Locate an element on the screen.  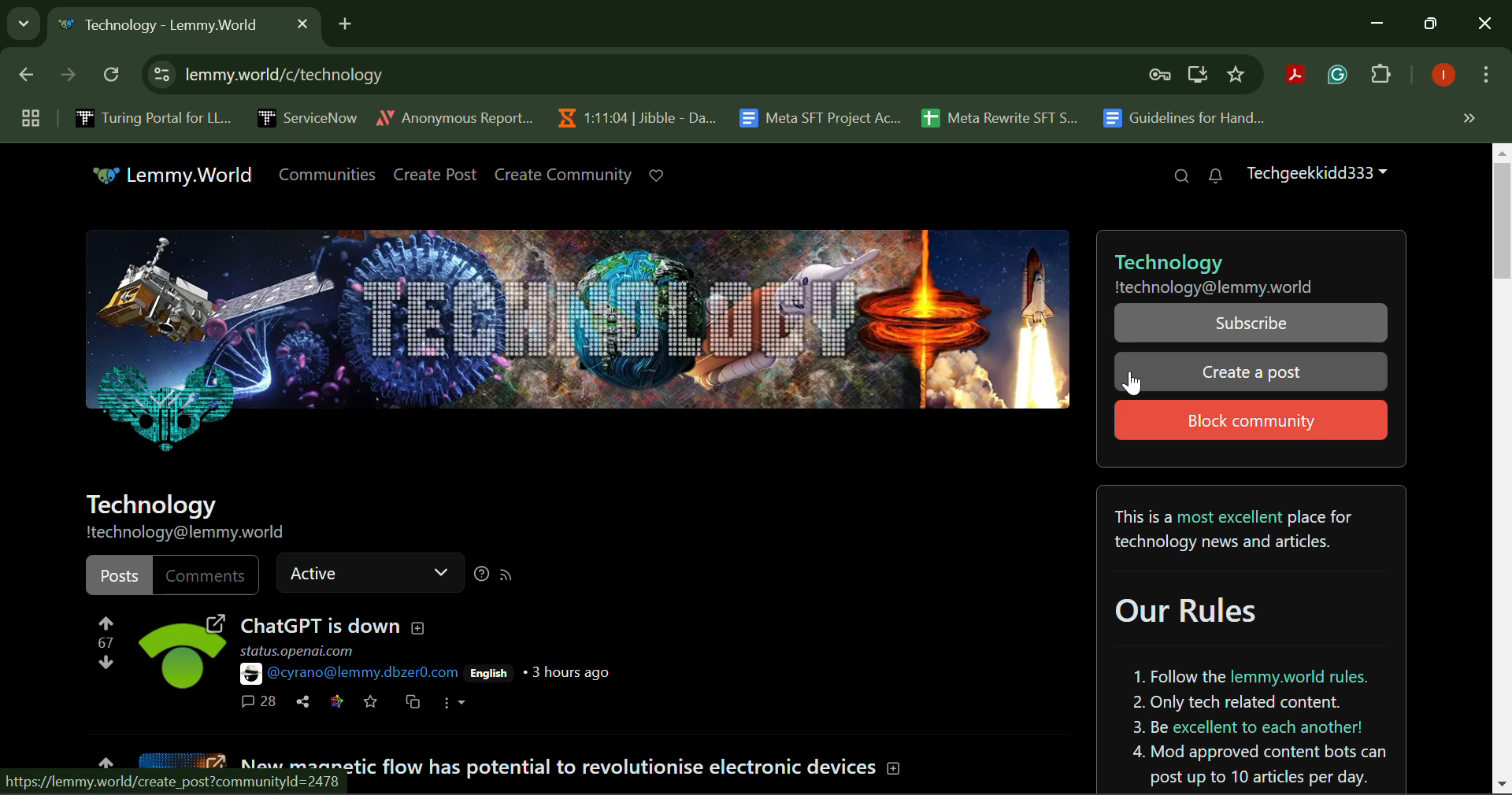
Notifications is located at coordinates (1214, 176).